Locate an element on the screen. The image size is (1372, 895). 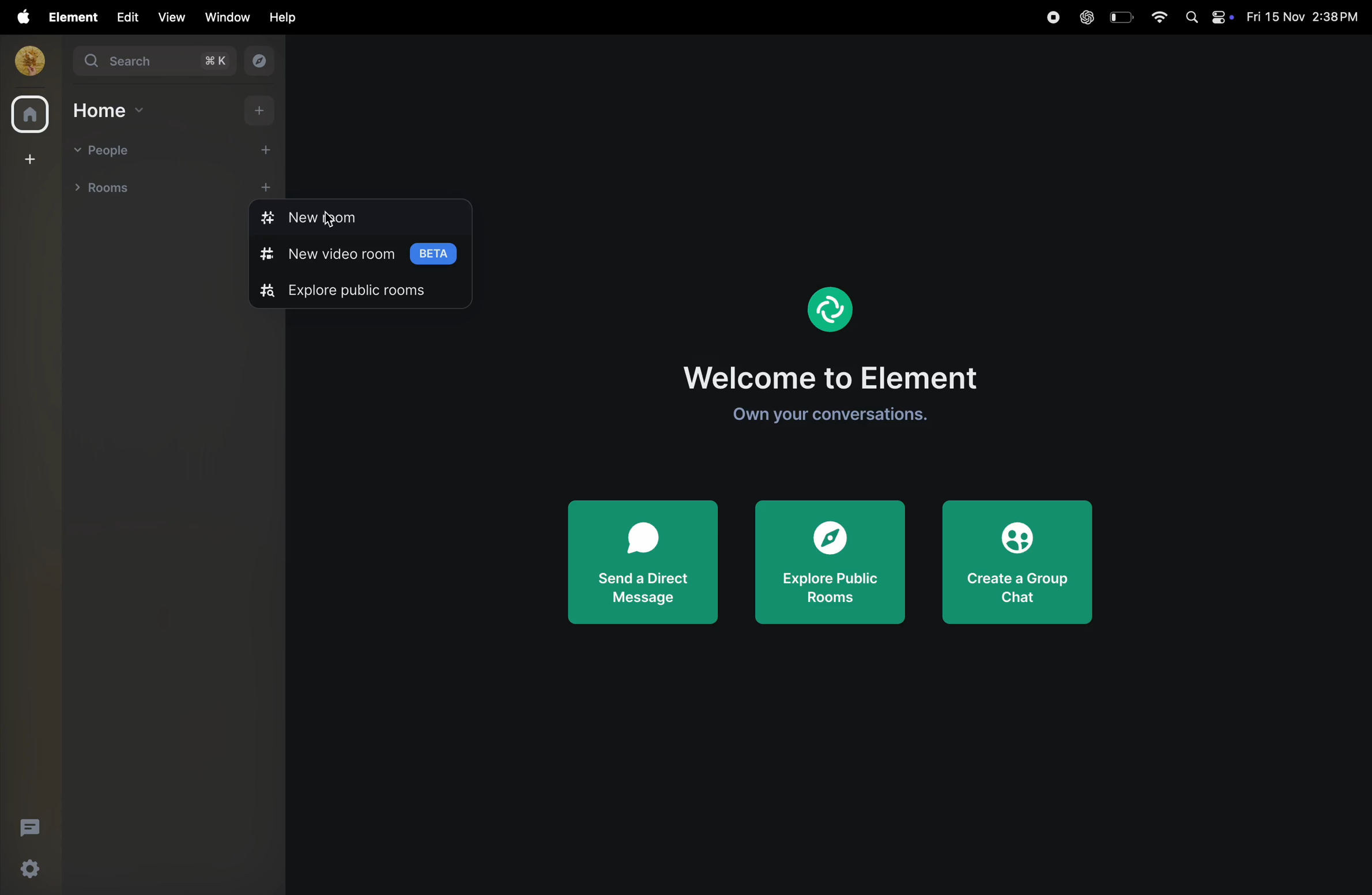
element is located at coordinates (835, 308).